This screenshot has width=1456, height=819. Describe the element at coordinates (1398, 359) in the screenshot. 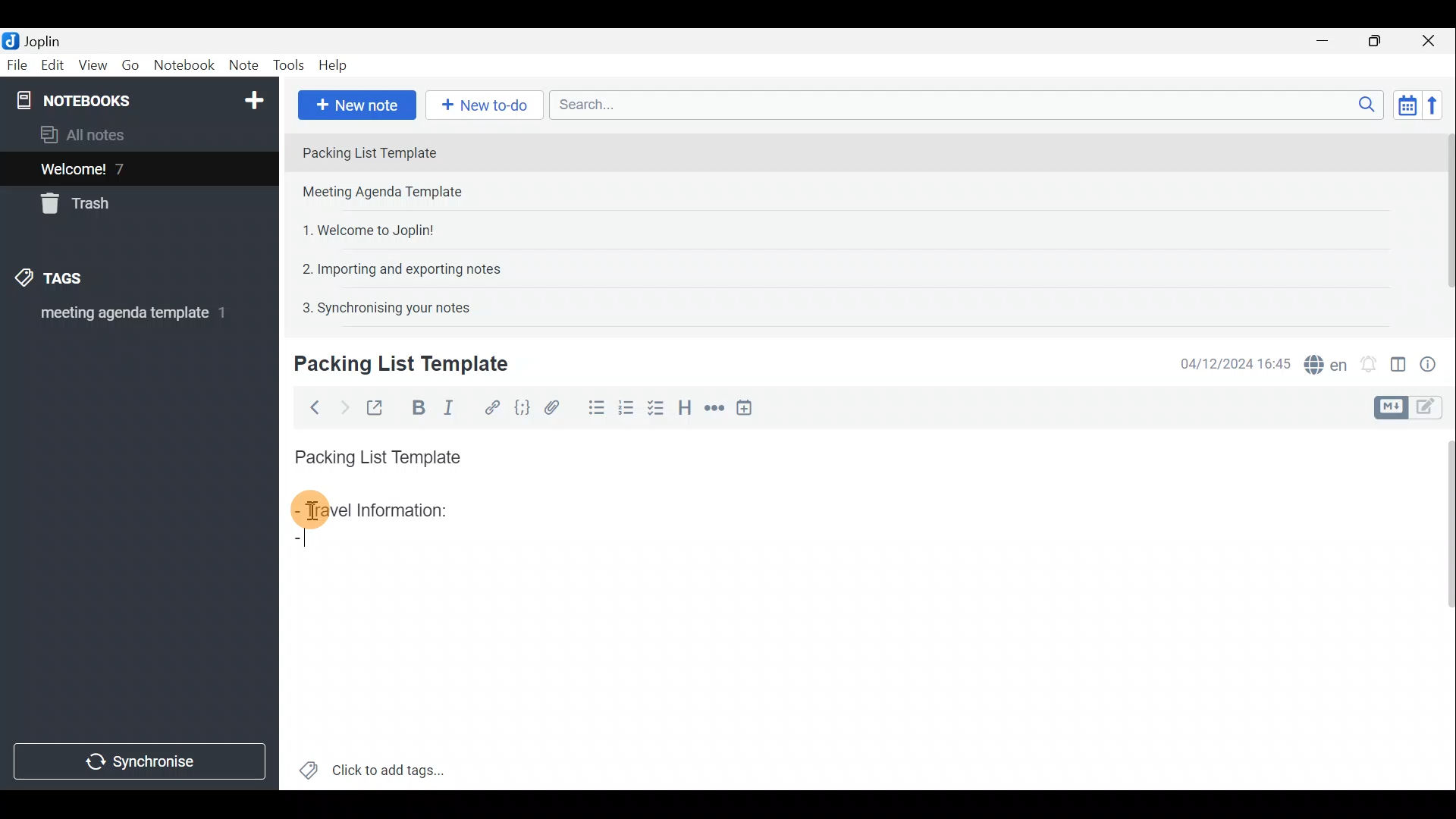

I see `Toggle editor layout` at that location.